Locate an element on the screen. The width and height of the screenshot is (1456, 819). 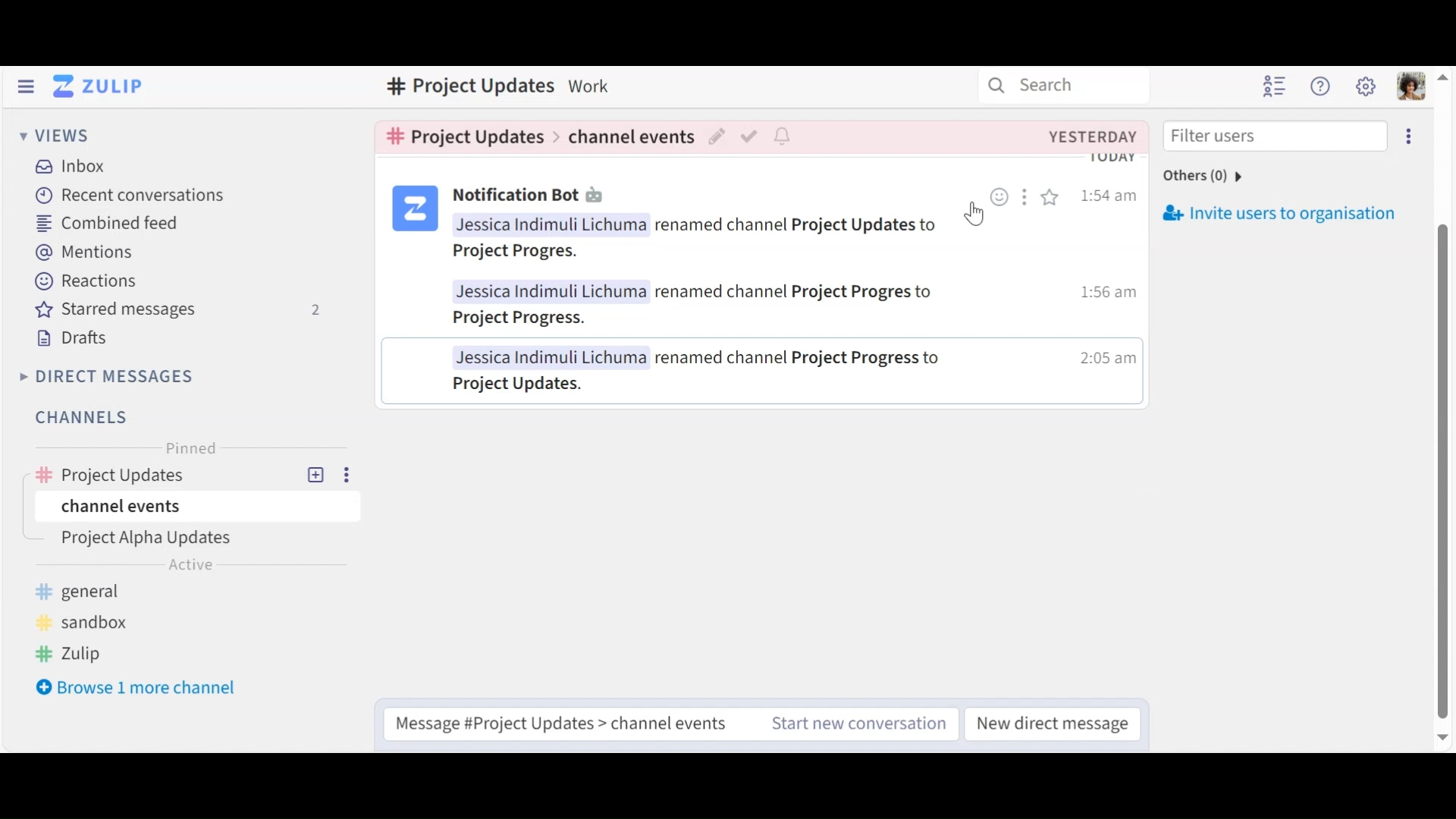
configure notification is located at coordinates (781, 136).